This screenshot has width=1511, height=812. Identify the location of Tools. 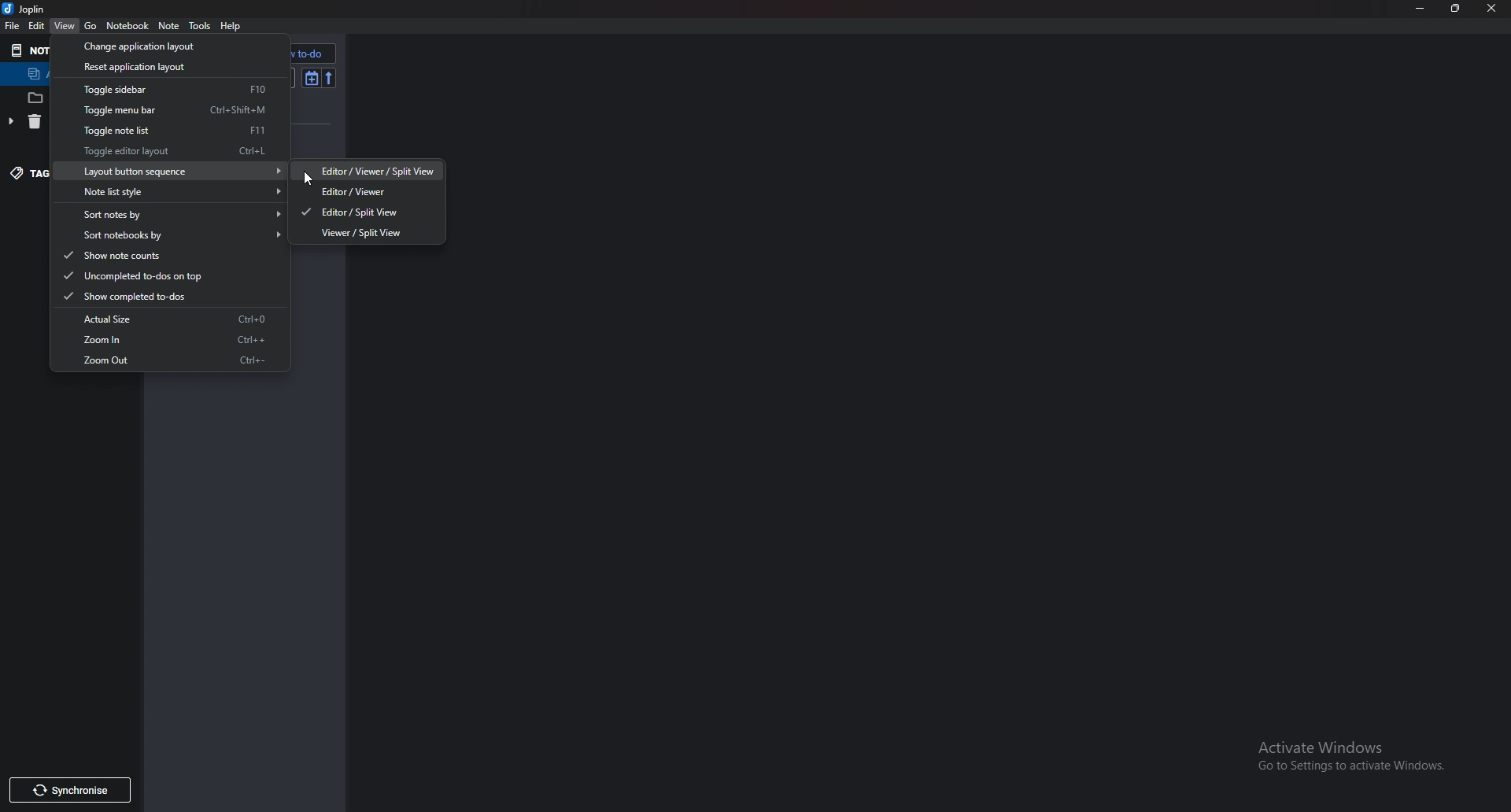
(200, 27).